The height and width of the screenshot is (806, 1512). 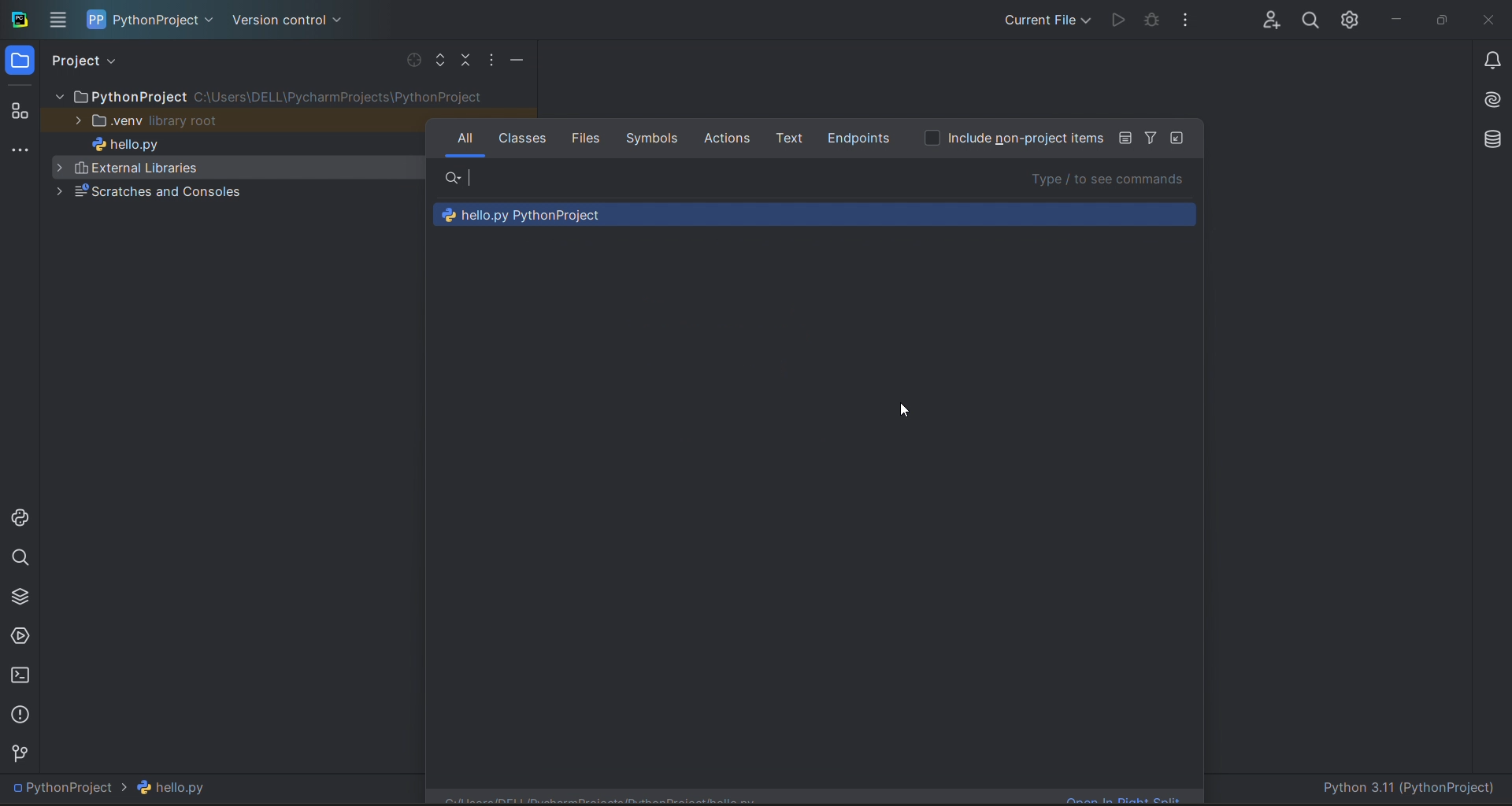 I want to click on services, so click(x=20, y=634).